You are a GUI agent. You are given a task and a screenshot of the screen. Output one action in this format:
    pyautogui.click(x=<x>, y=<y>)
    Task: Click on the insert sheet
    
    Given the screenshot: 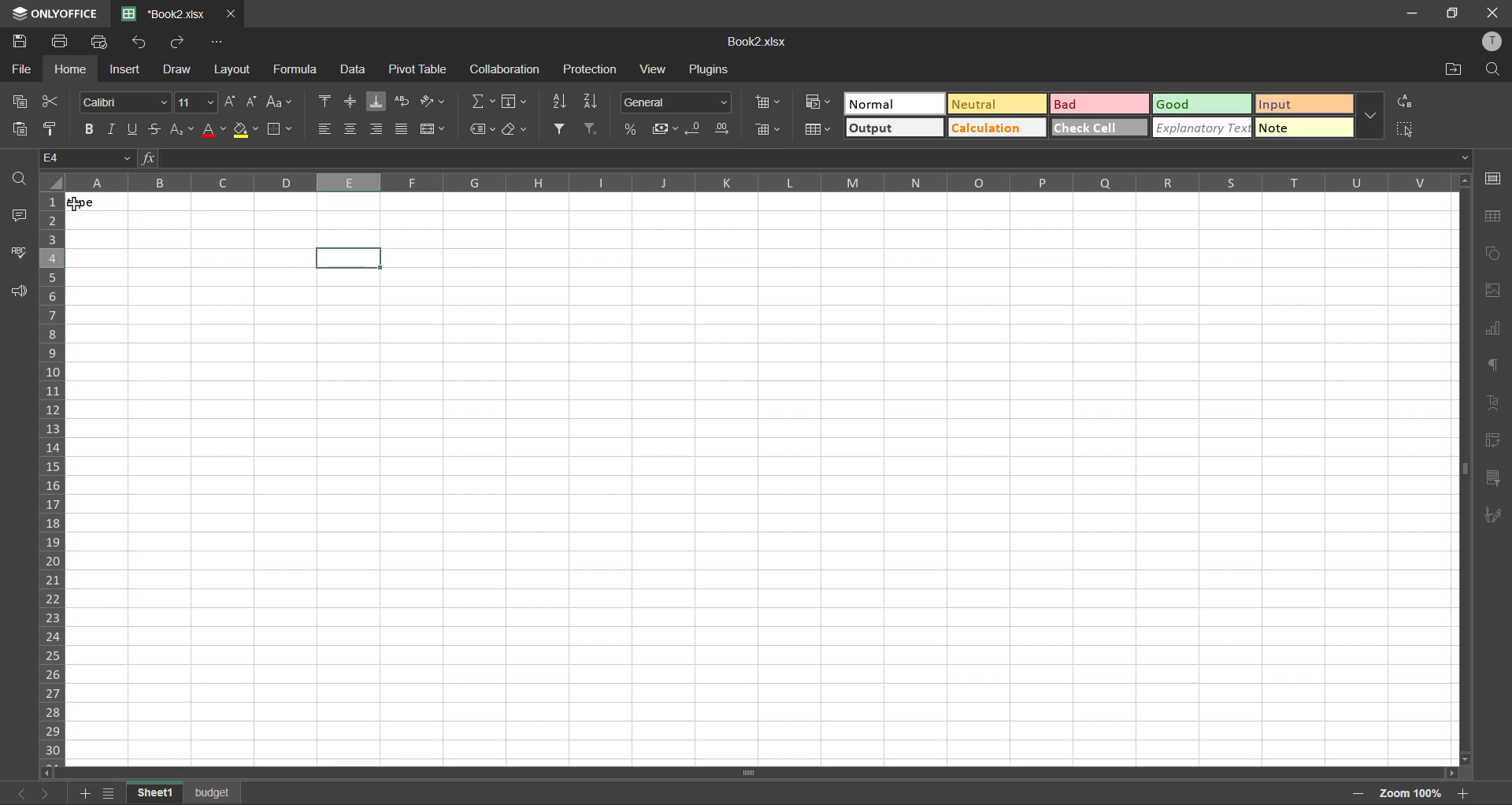 What is the action you would take?
    pyautogui.click(x=82, y=793)
    